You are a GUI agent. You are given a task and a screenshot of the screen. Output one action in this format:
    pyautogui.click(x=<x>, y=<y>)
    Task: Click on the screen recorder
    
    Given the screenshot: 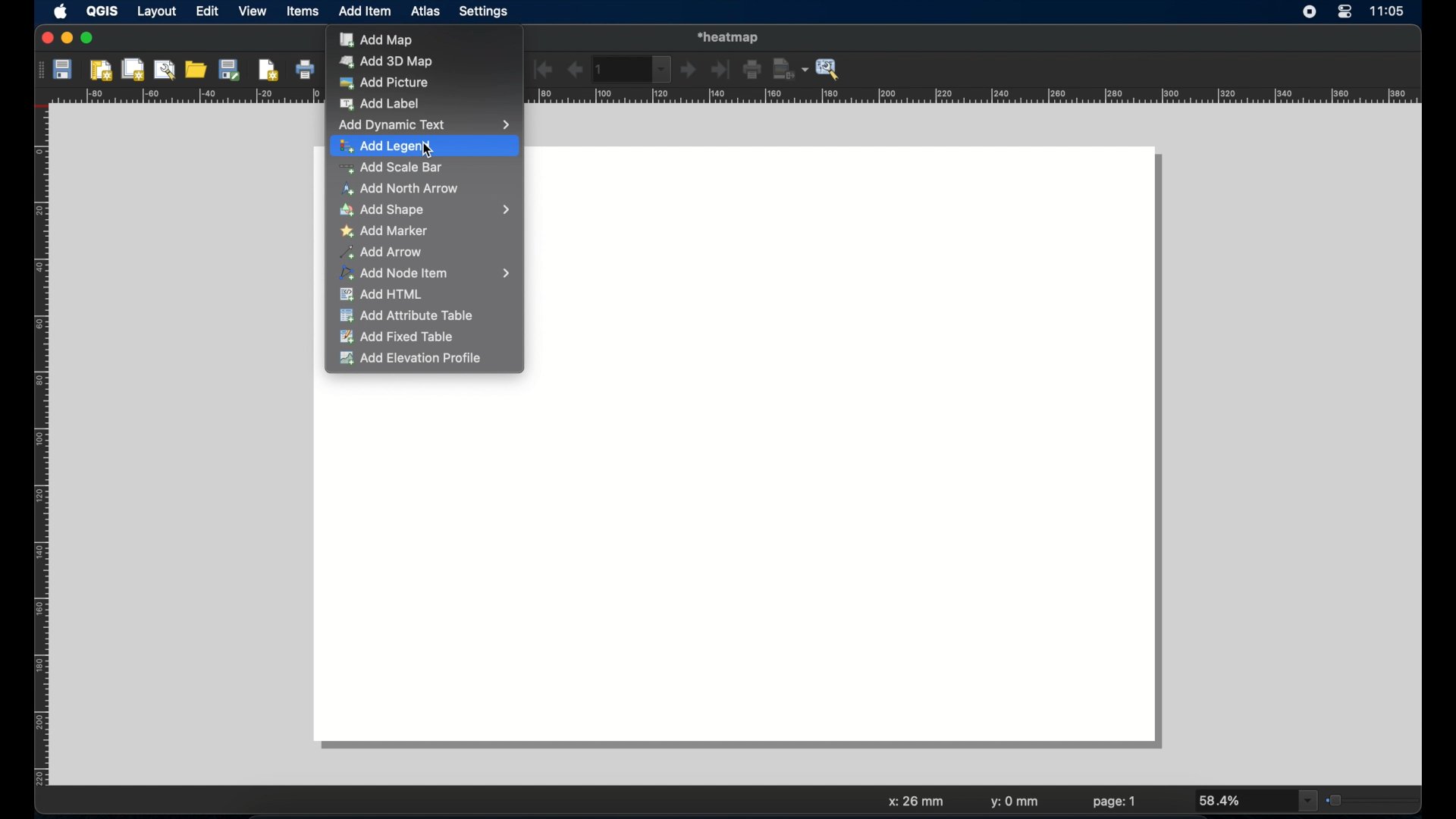 What is the action you would take?
    pyautogui.click(x=1310, y=13)
    